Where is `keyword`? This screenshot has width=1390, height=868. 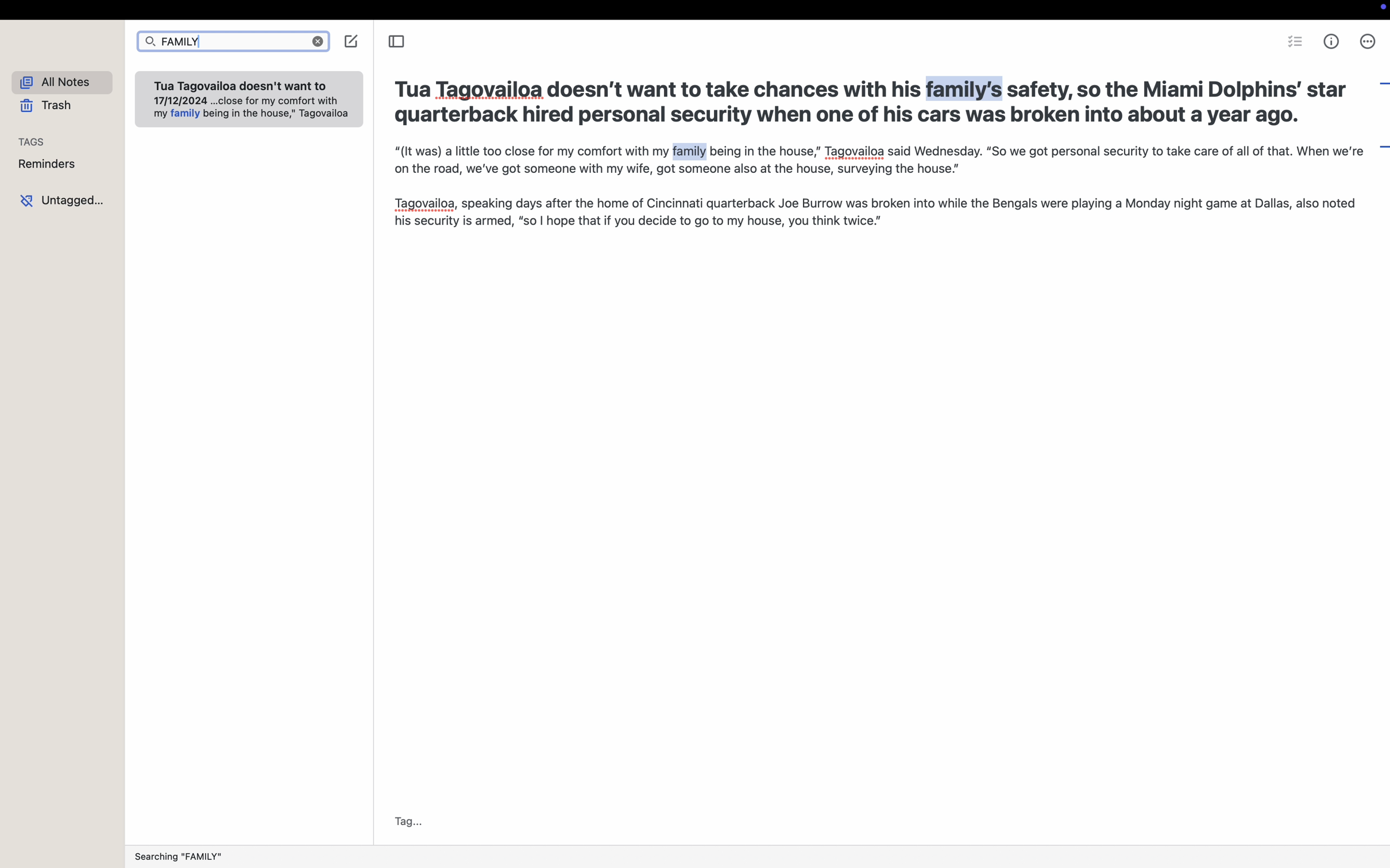 keyword is located at coordinates (692, 152).